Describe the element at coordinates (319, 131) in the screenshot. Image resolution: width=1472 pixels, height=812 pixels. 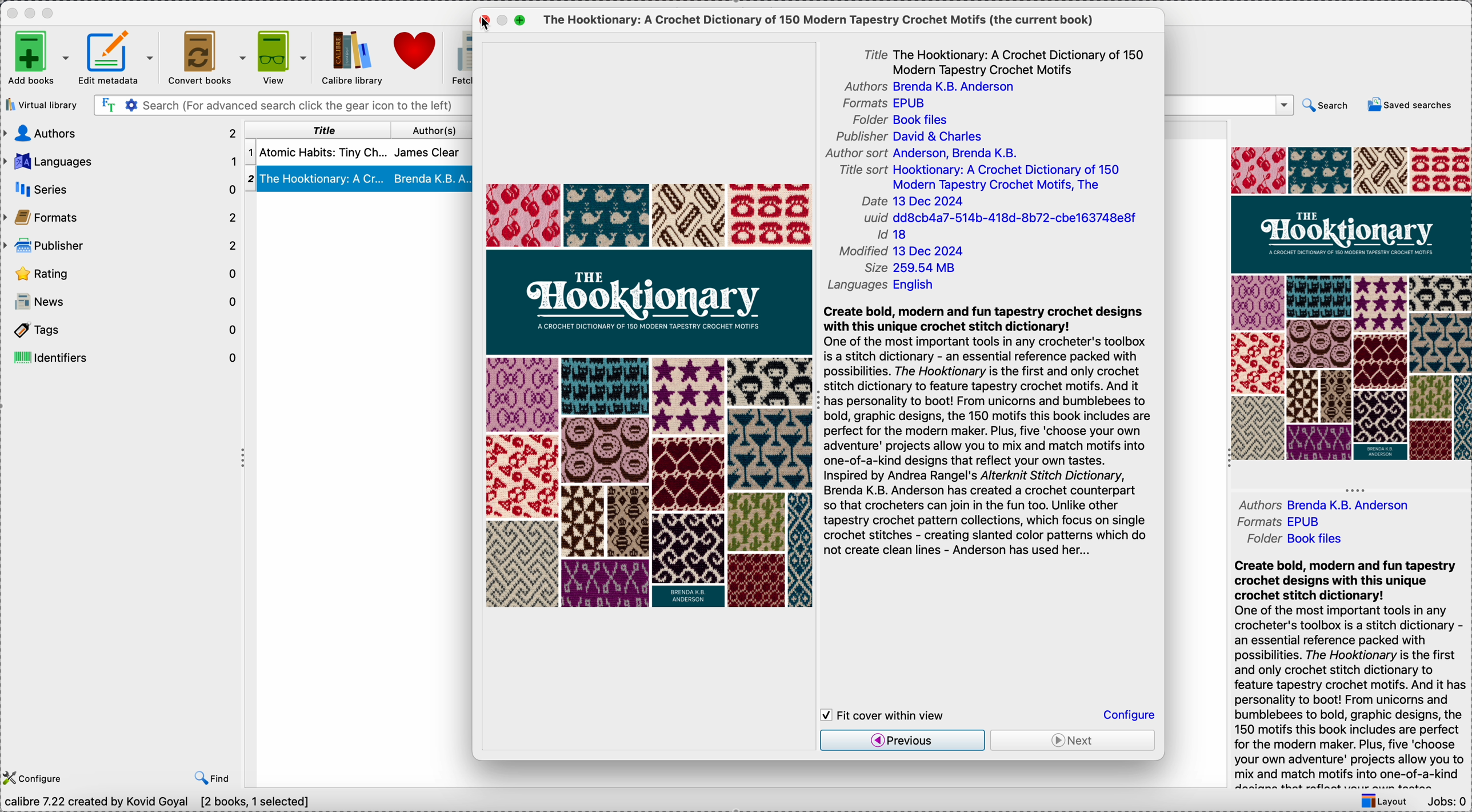
I see `title` at that location.